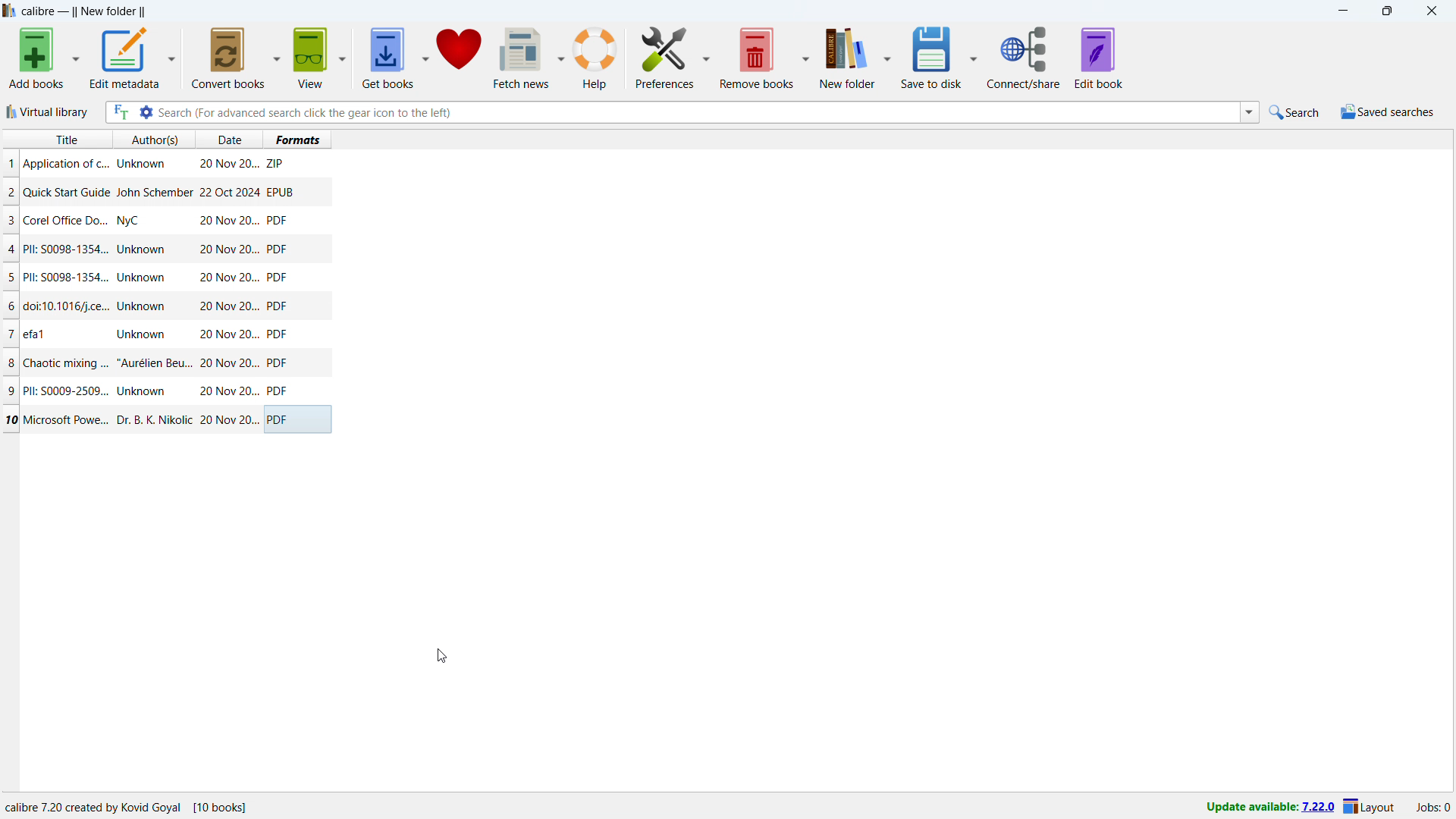 This screenshot has height=819, width=1456. I want to click on Unknown, so click(141, 391).